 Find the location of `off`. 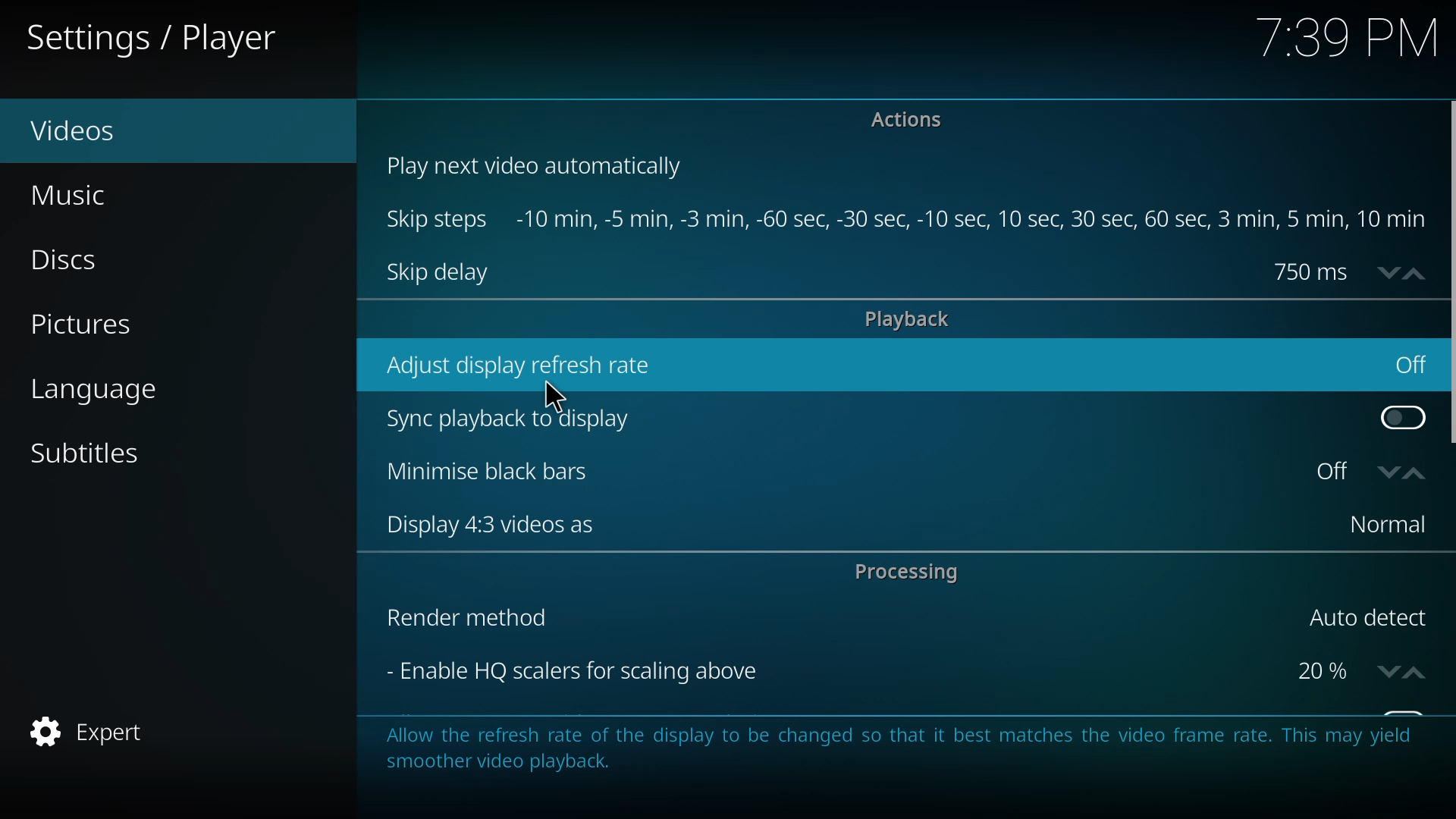

off is located at coordinates (1410, 364).